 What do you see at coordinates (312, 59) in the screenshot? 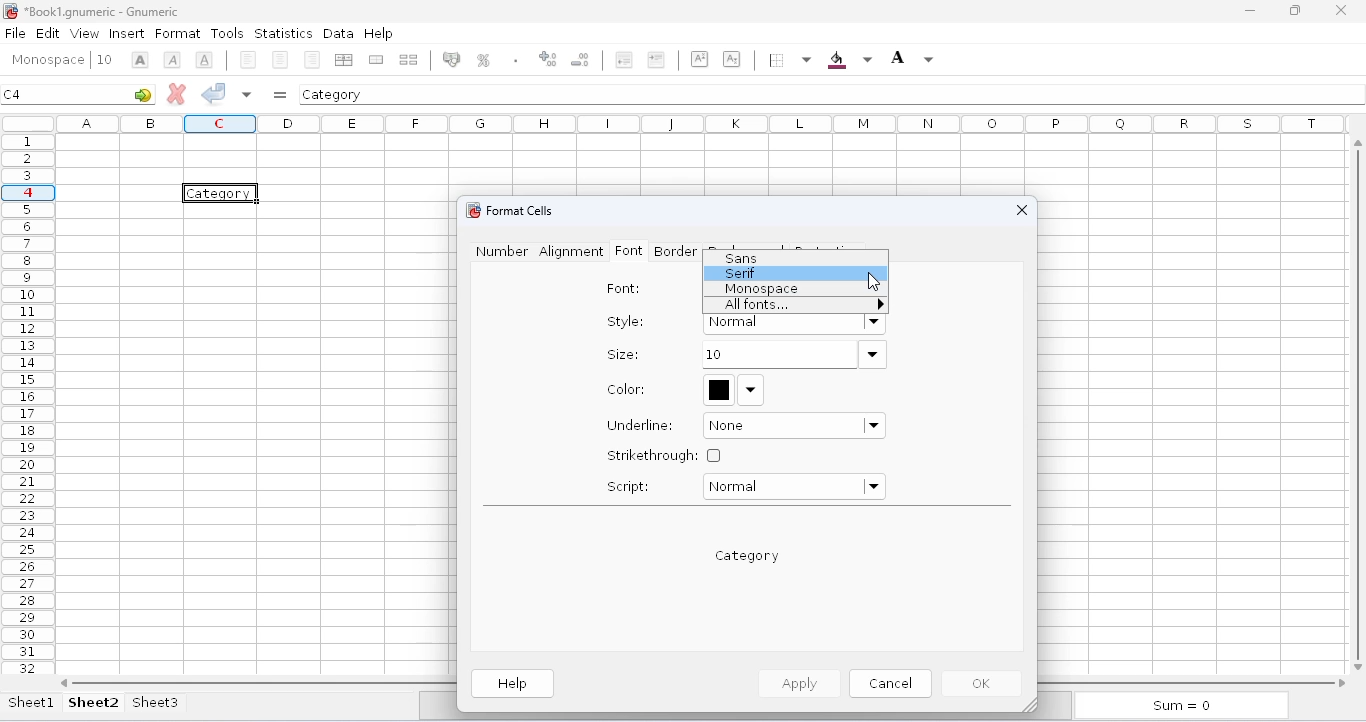
I see `align right` at bounding box center [312, 59].